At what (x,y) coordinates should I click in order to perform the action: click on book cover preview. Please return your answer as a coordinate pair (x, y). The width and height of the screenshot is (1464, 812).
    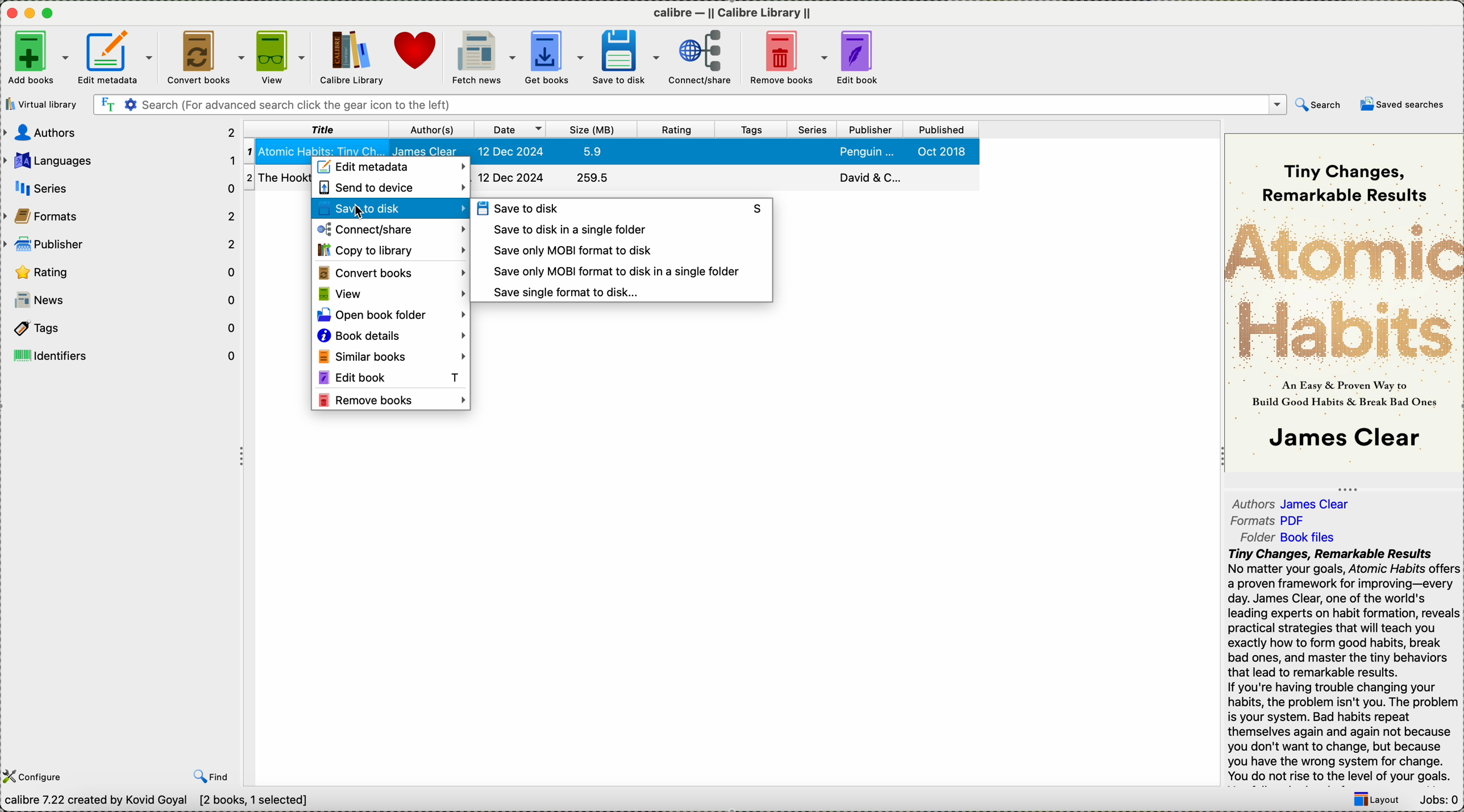
    Looking at the image, I should click on (1344, 302).